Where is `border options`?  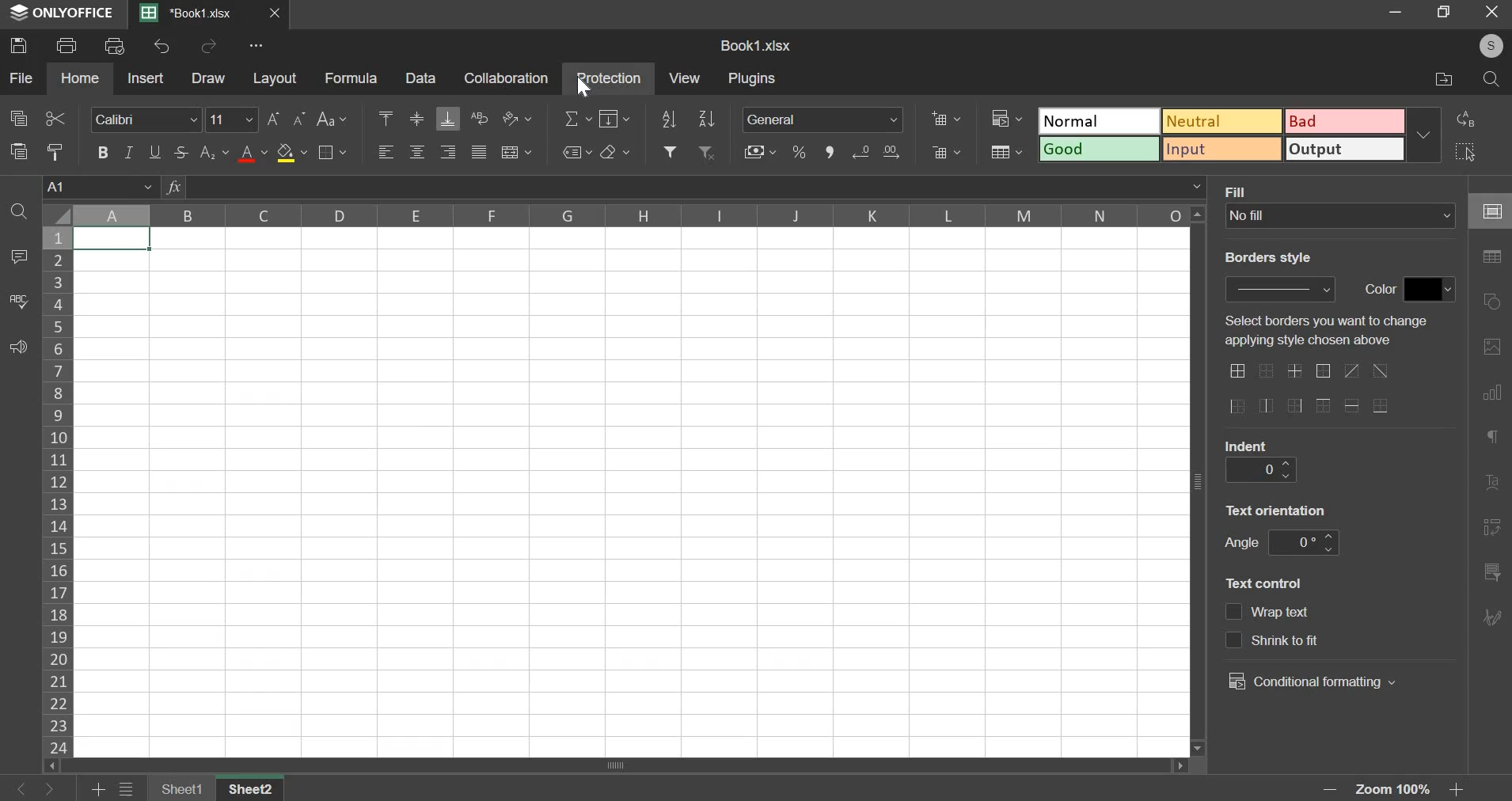
border options is located at coordinates (1382, 371).